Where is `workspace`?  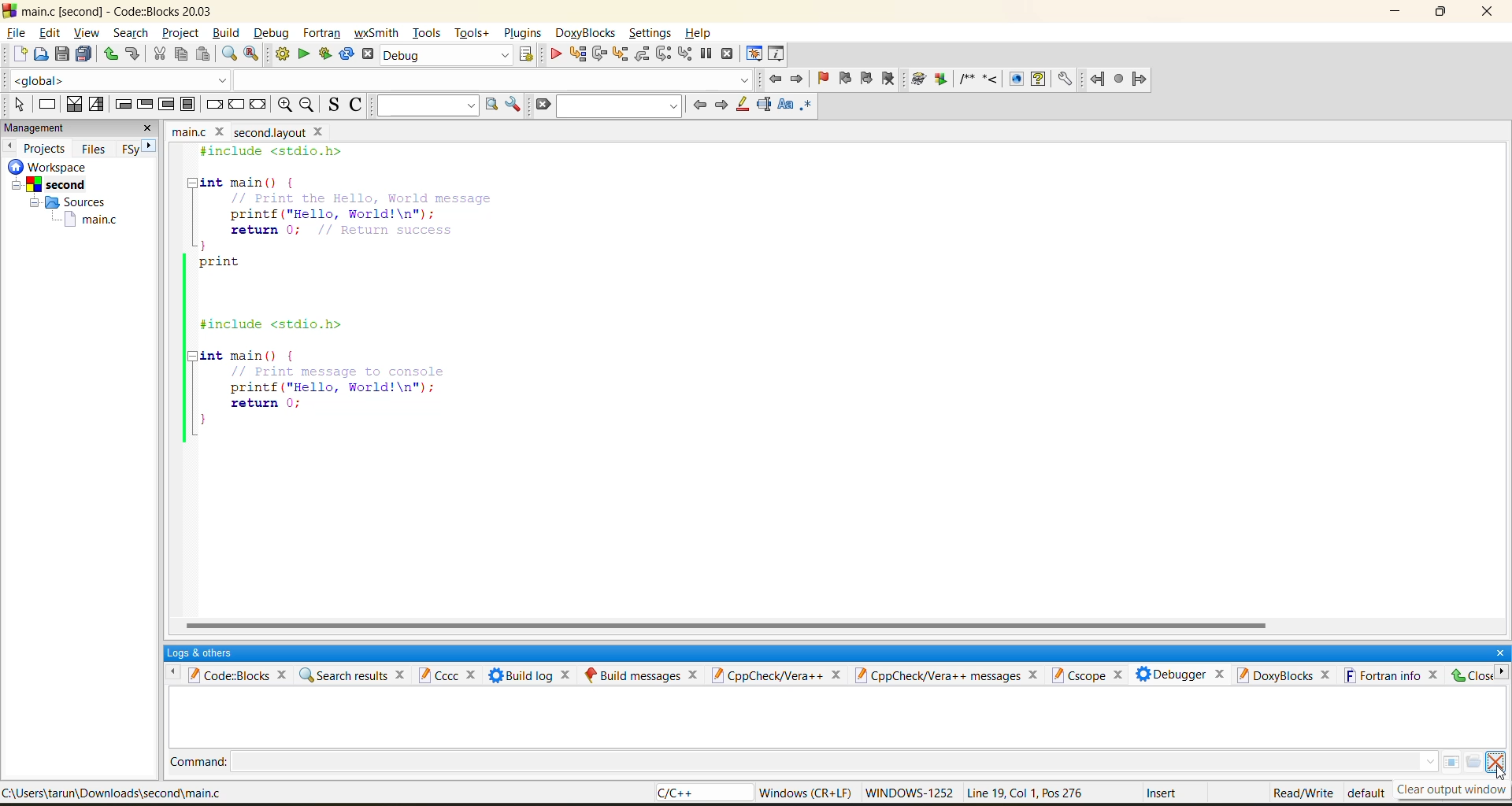 workspace is located at coordinates (76, 200).